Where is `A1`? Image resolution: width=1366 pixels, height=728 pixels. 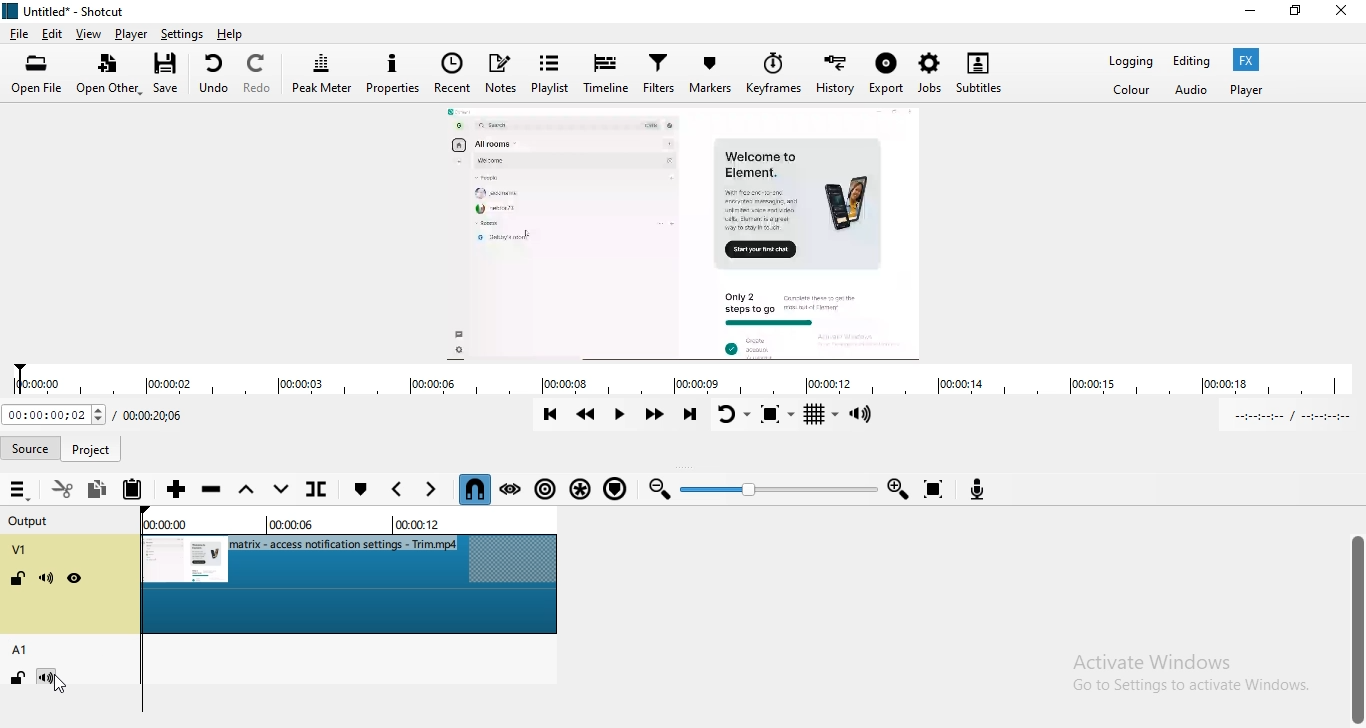 A1 is located at coordinates (23, 651).